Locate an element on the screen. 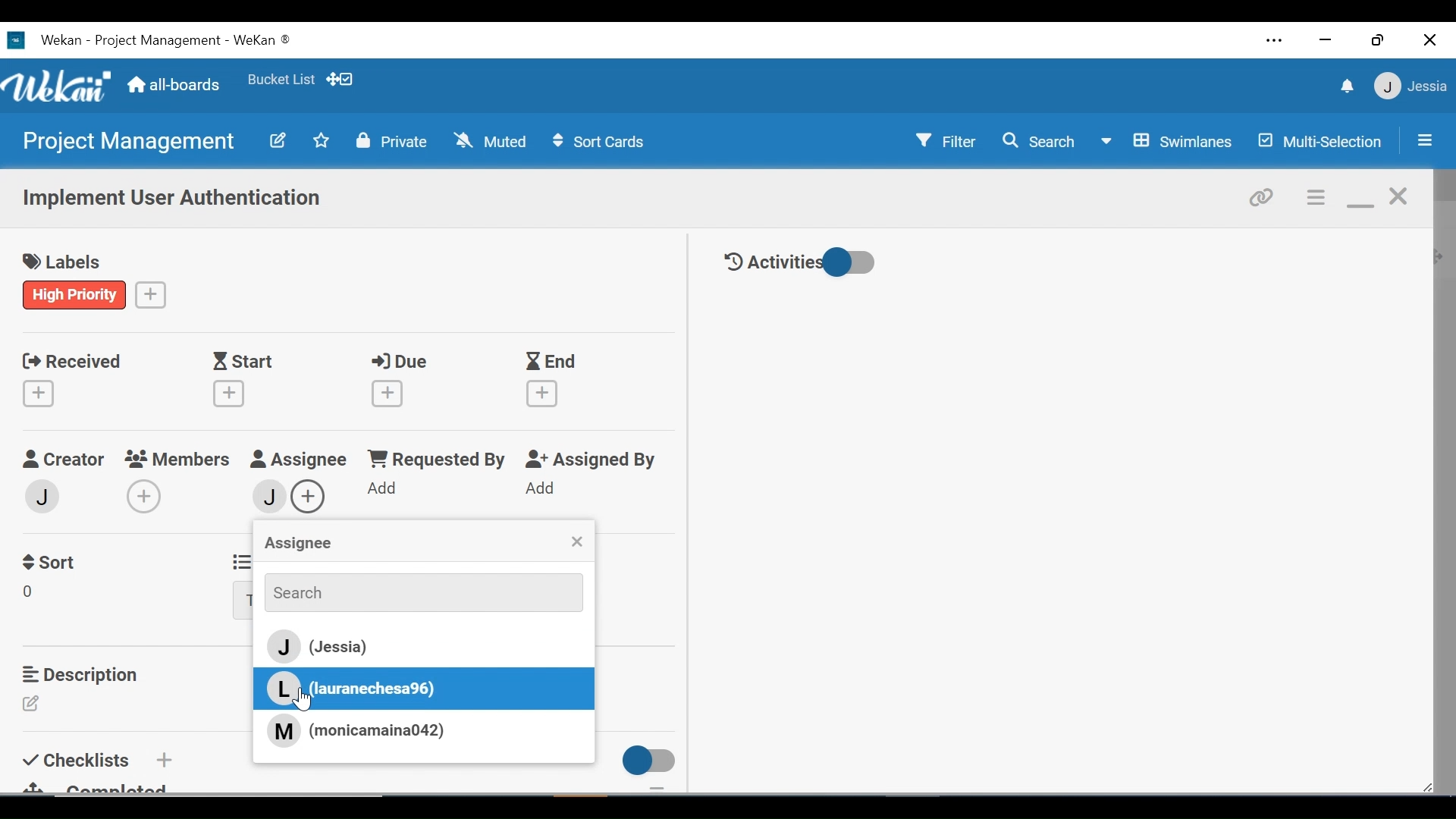  Create Start Date is located at coordinates (229, 394).